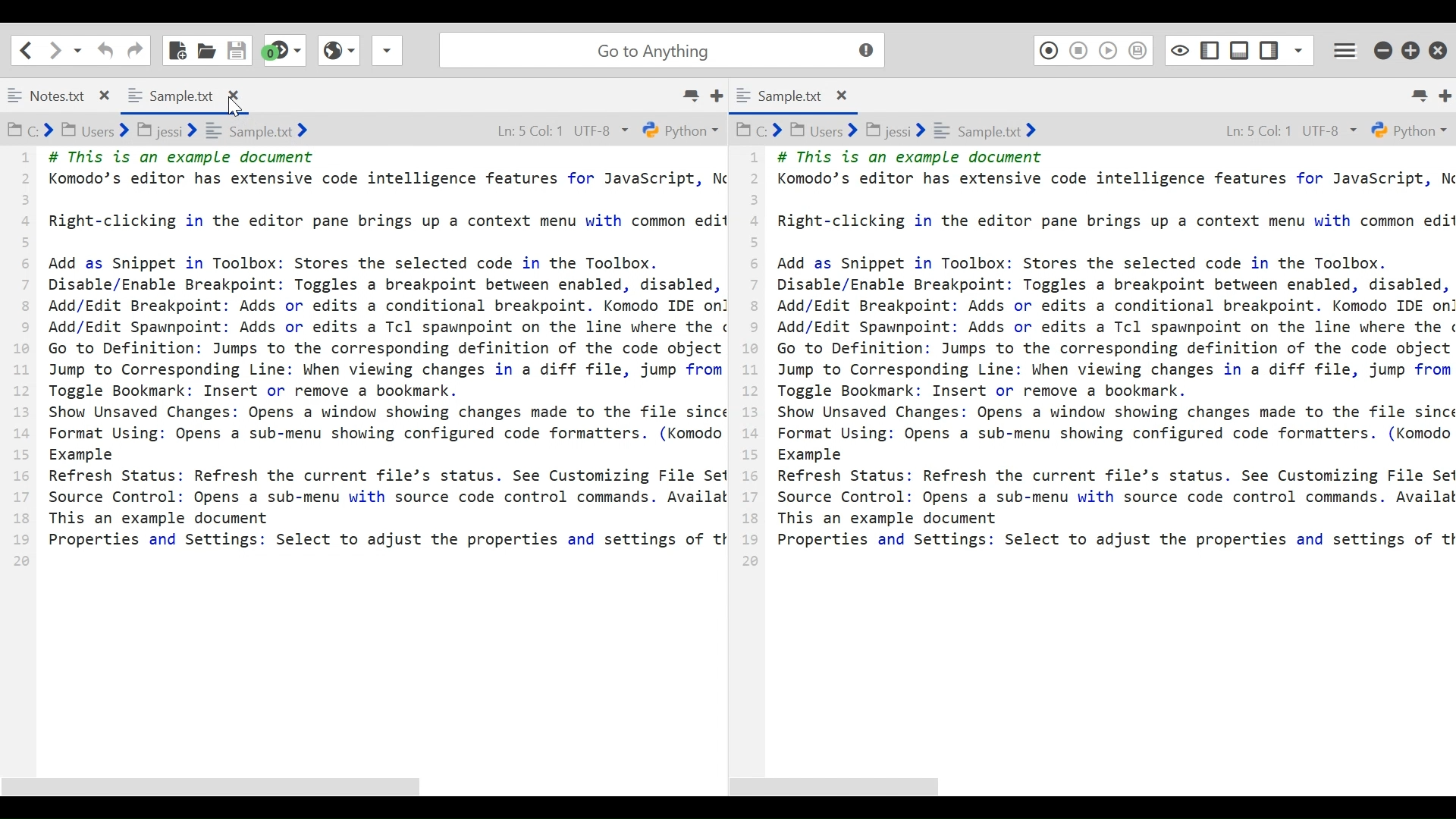  What do you see at coordinates (106, 49) in the screenshot?
I see `Undo` at bounding box center [106, 49].